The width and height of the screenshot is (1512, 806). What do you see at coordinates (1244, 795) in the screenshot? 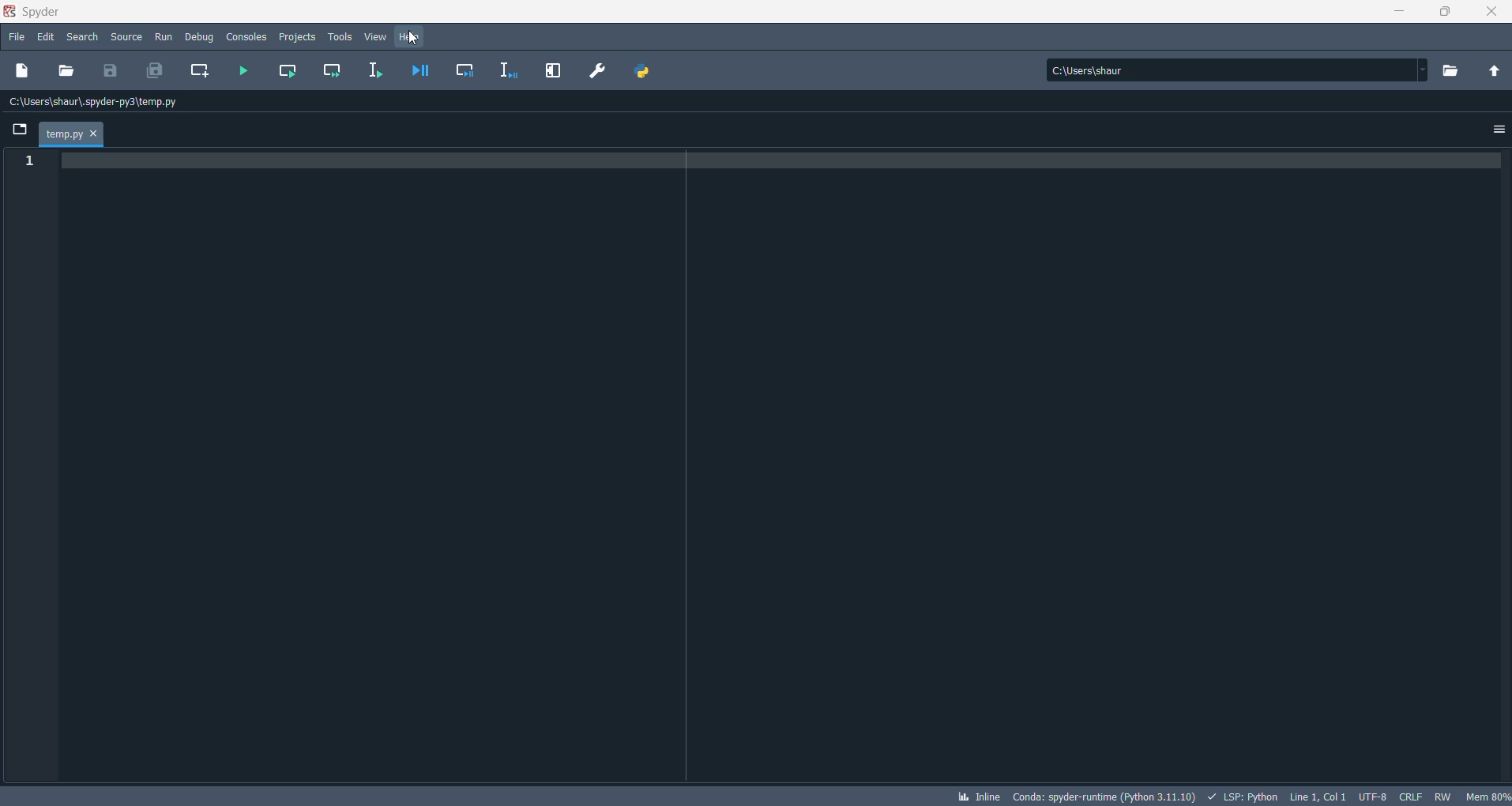
I see `SCRIPT` at bounding box center [1244, 795].